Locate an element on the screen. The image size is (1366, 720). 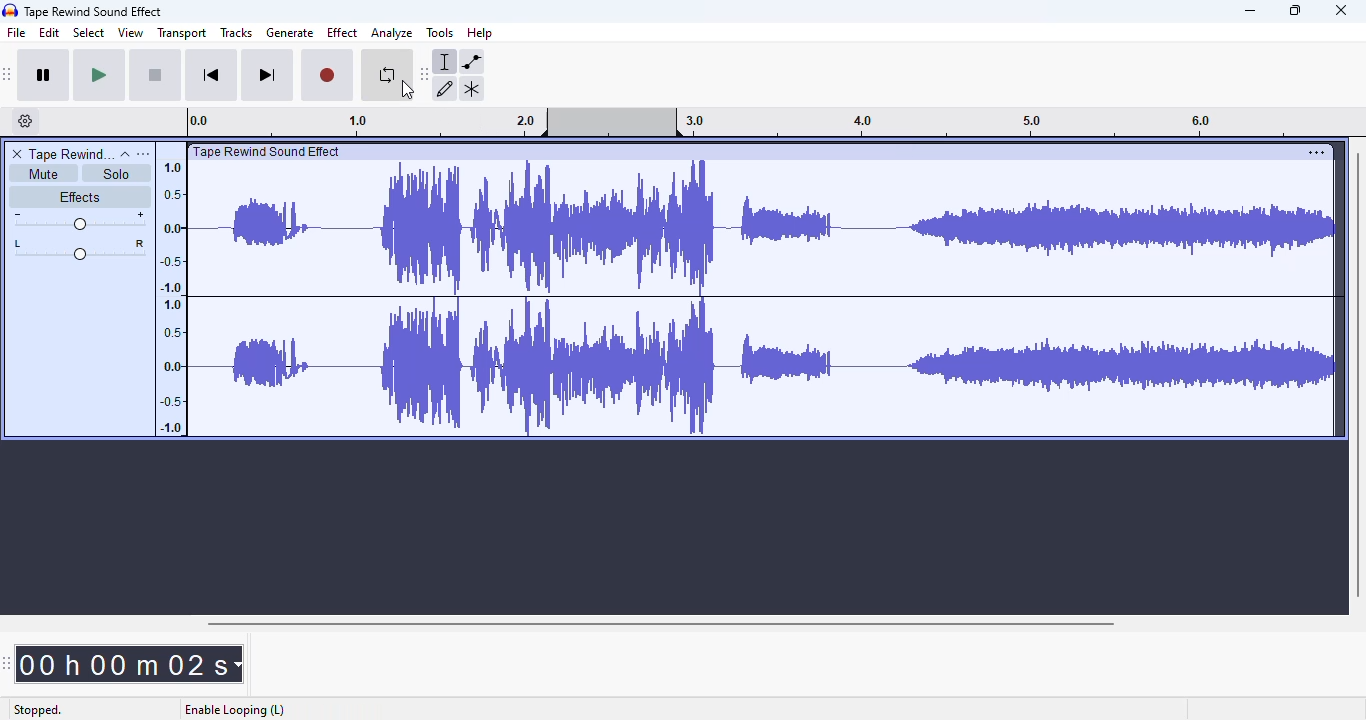
tracks is located at coordinates (237, 33).